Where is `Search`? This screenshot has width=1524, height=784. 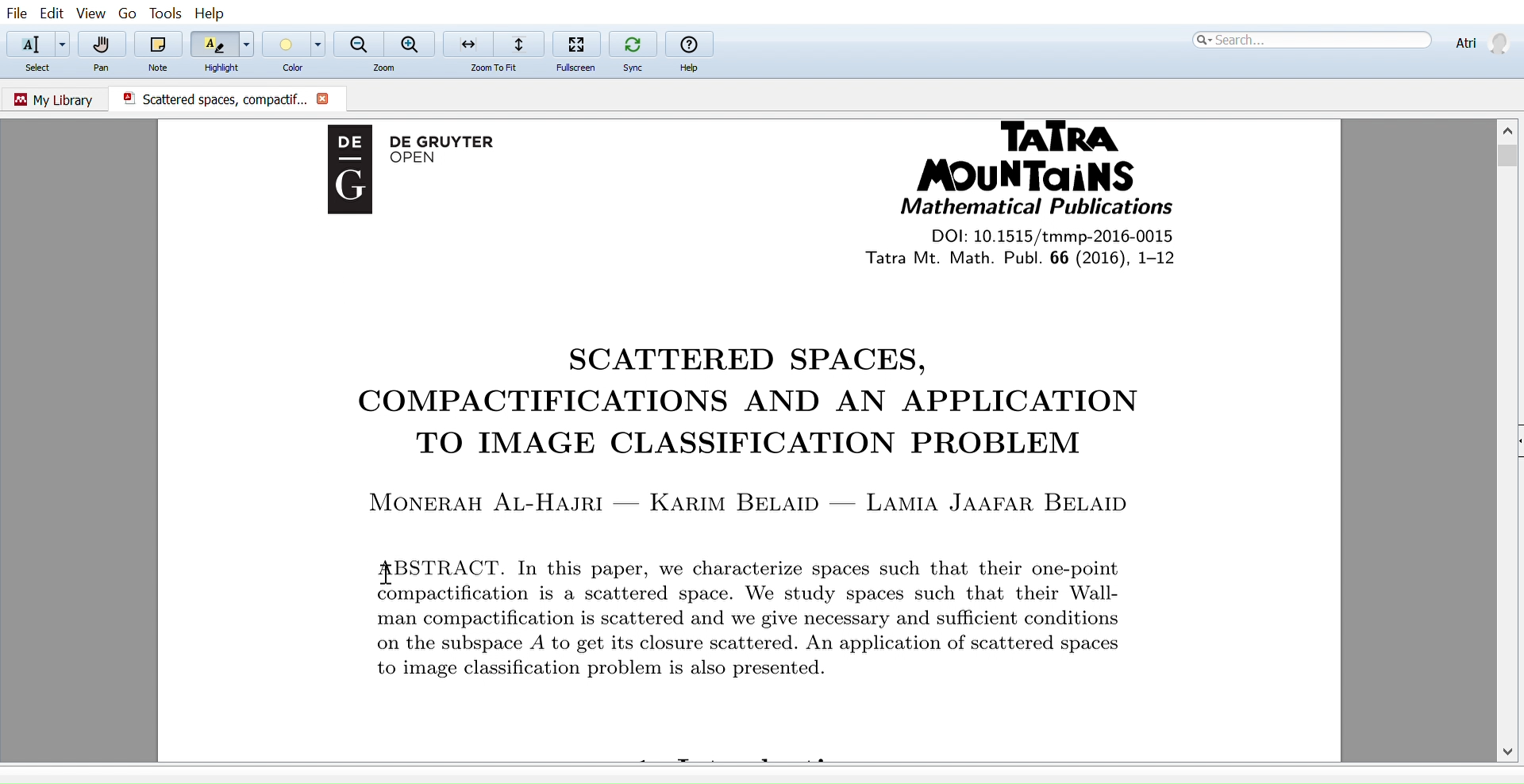 Search is located at coordinates (1310, 40).